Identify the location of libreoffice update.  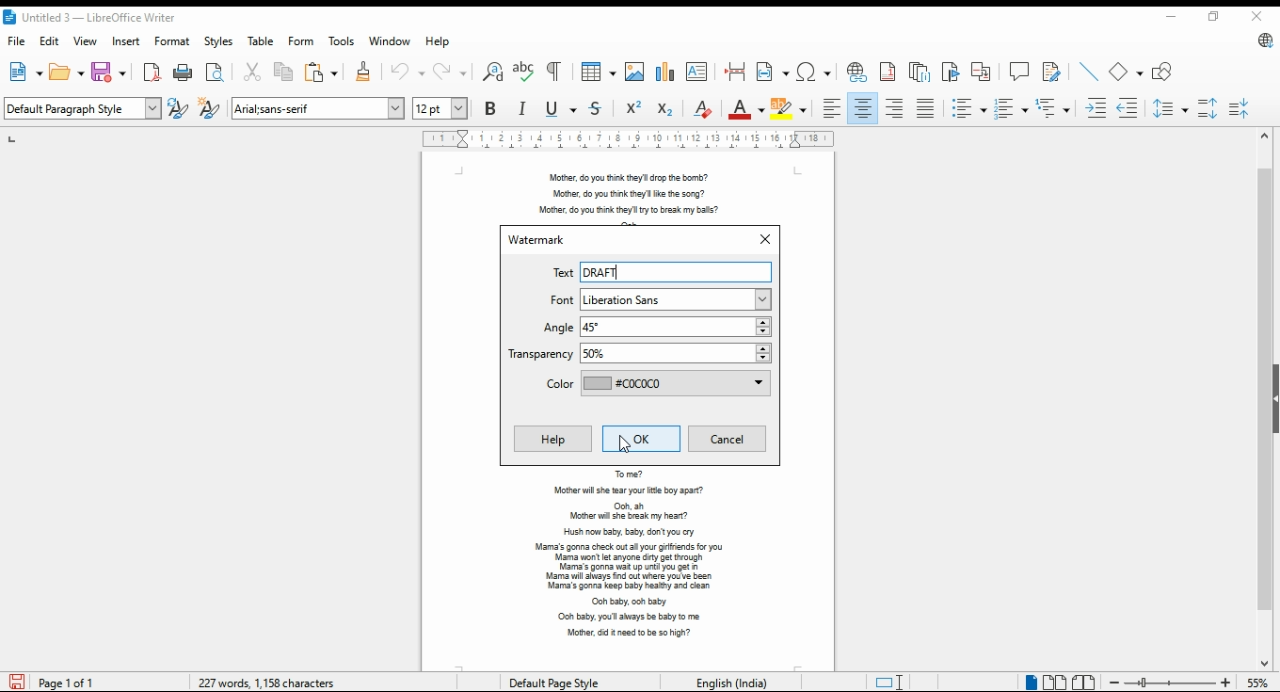
(1262, 41).